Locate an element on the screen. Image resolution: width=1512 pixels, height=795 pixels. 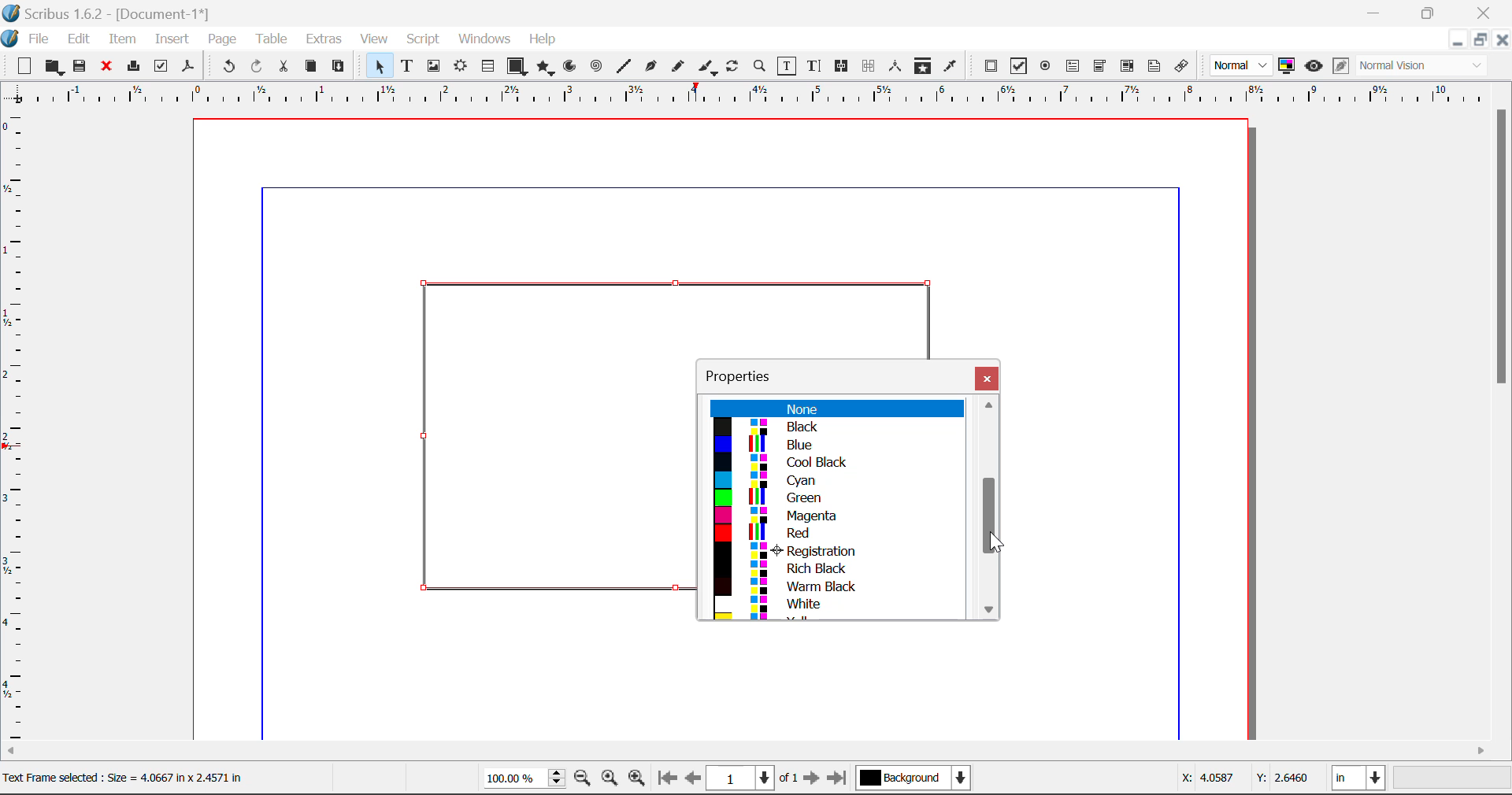
Discard is located at coordinates (107, 67).